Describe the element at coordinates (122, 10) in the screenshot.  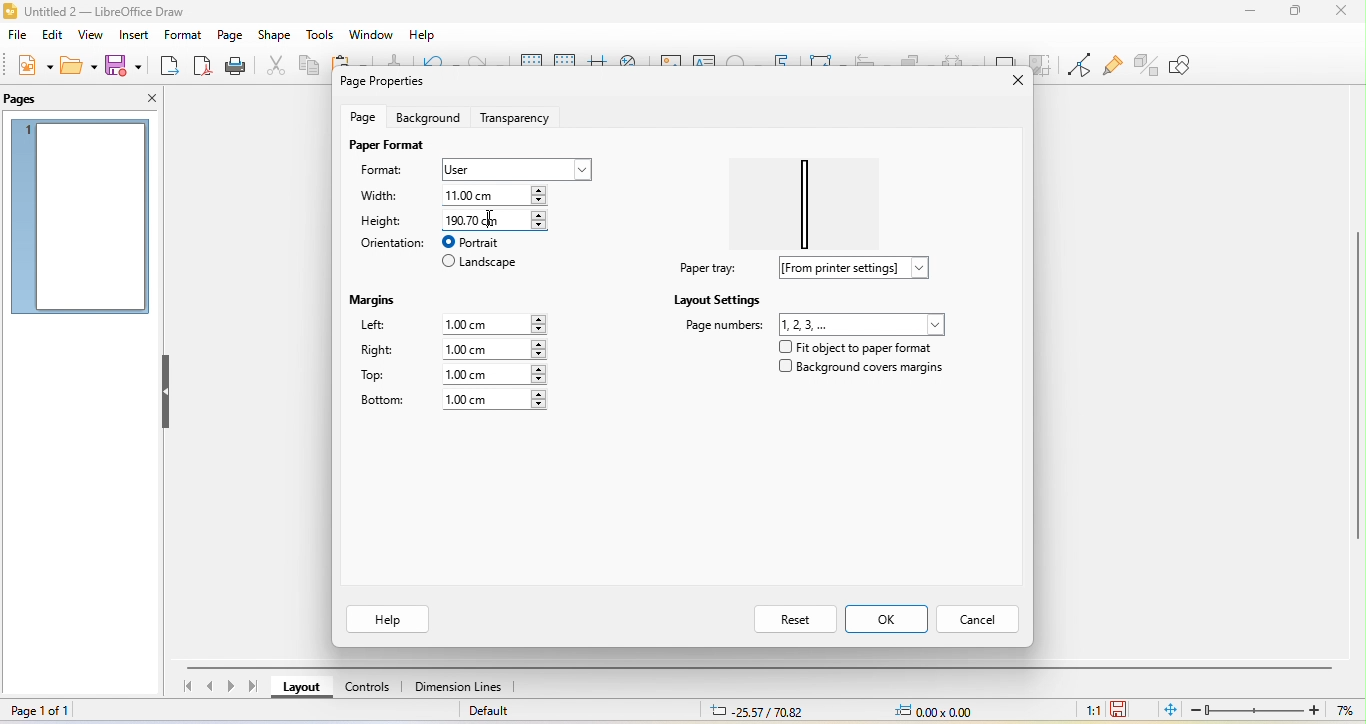
I see `title` at that location.